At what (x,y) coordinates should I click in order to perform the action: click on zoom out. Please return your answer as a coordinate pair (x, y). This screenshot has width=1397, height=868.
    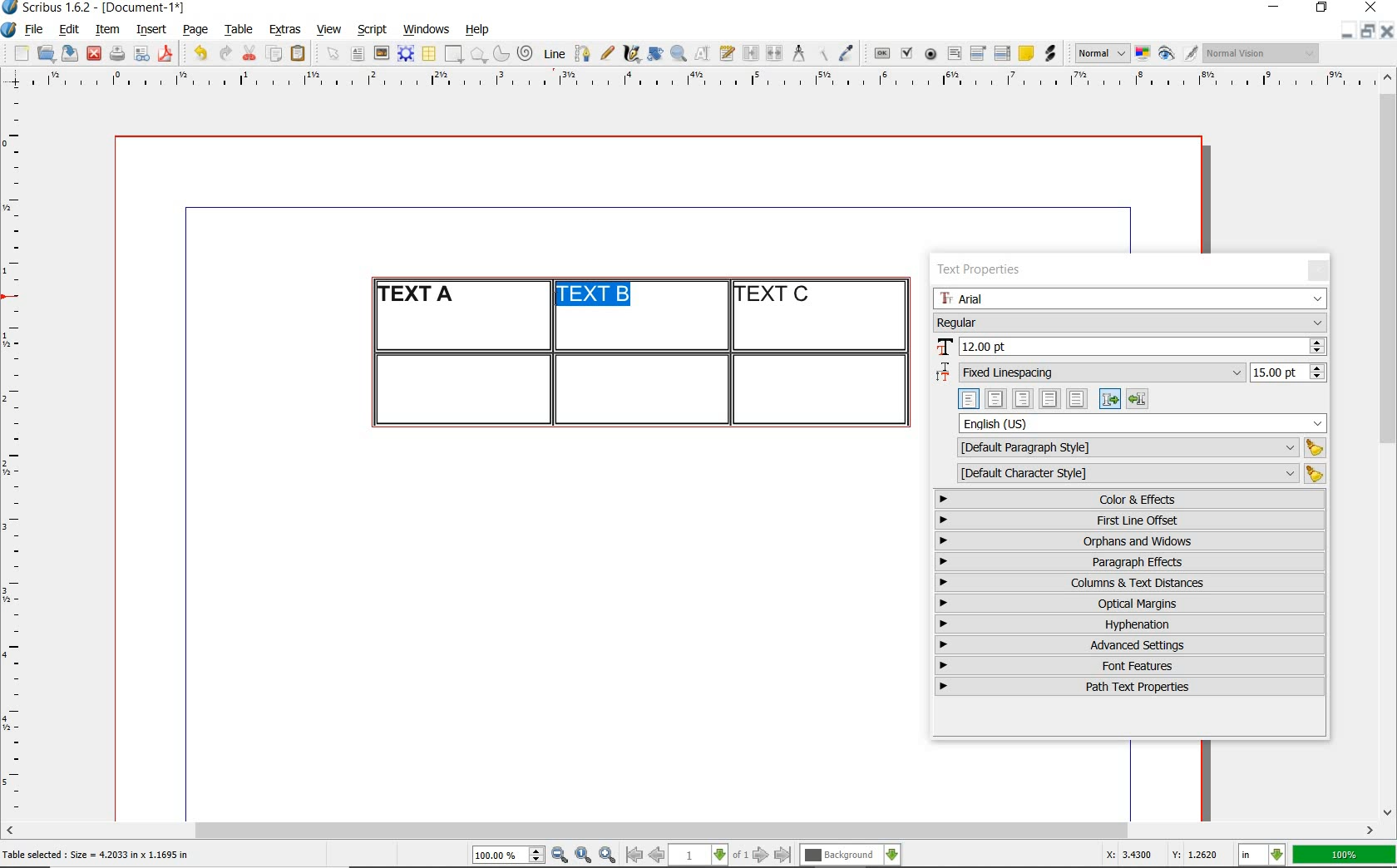
    Looking at the image, I should click on (560, 856).